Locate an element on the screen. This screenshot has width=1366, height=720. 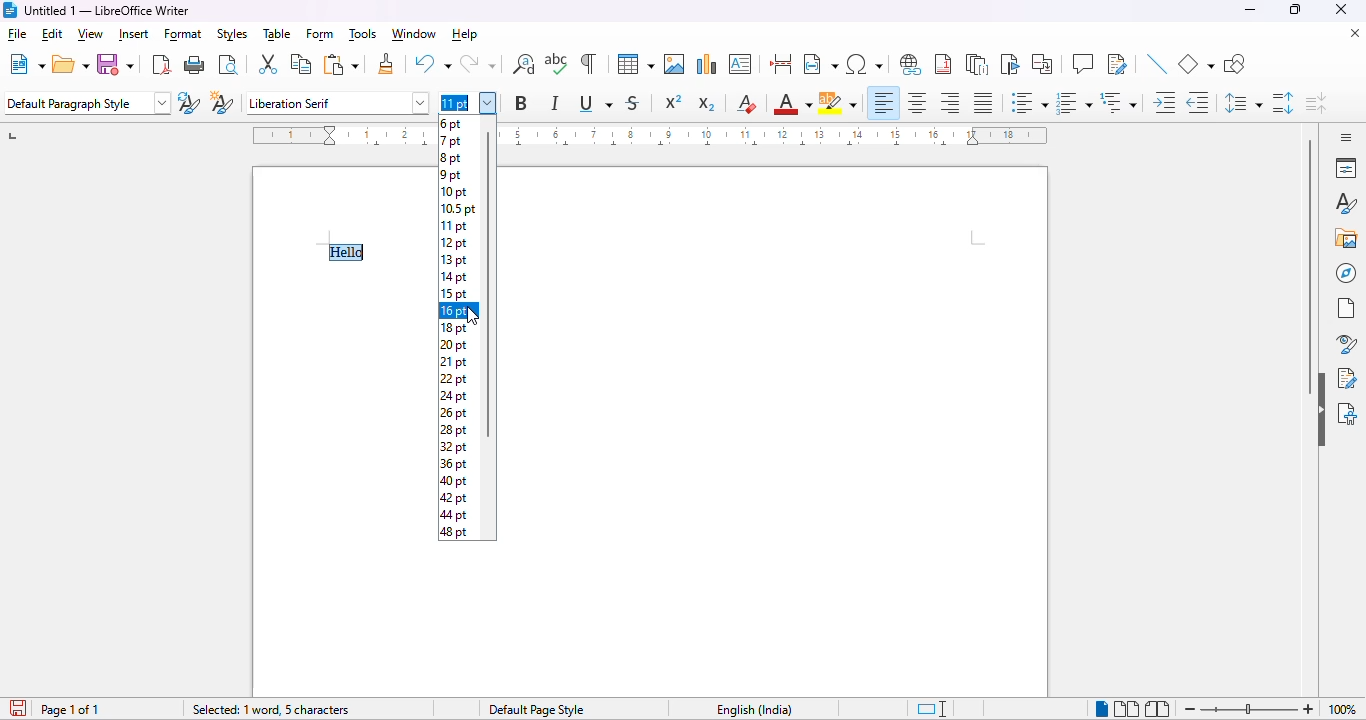
copy is located at coordinates (301, 64).